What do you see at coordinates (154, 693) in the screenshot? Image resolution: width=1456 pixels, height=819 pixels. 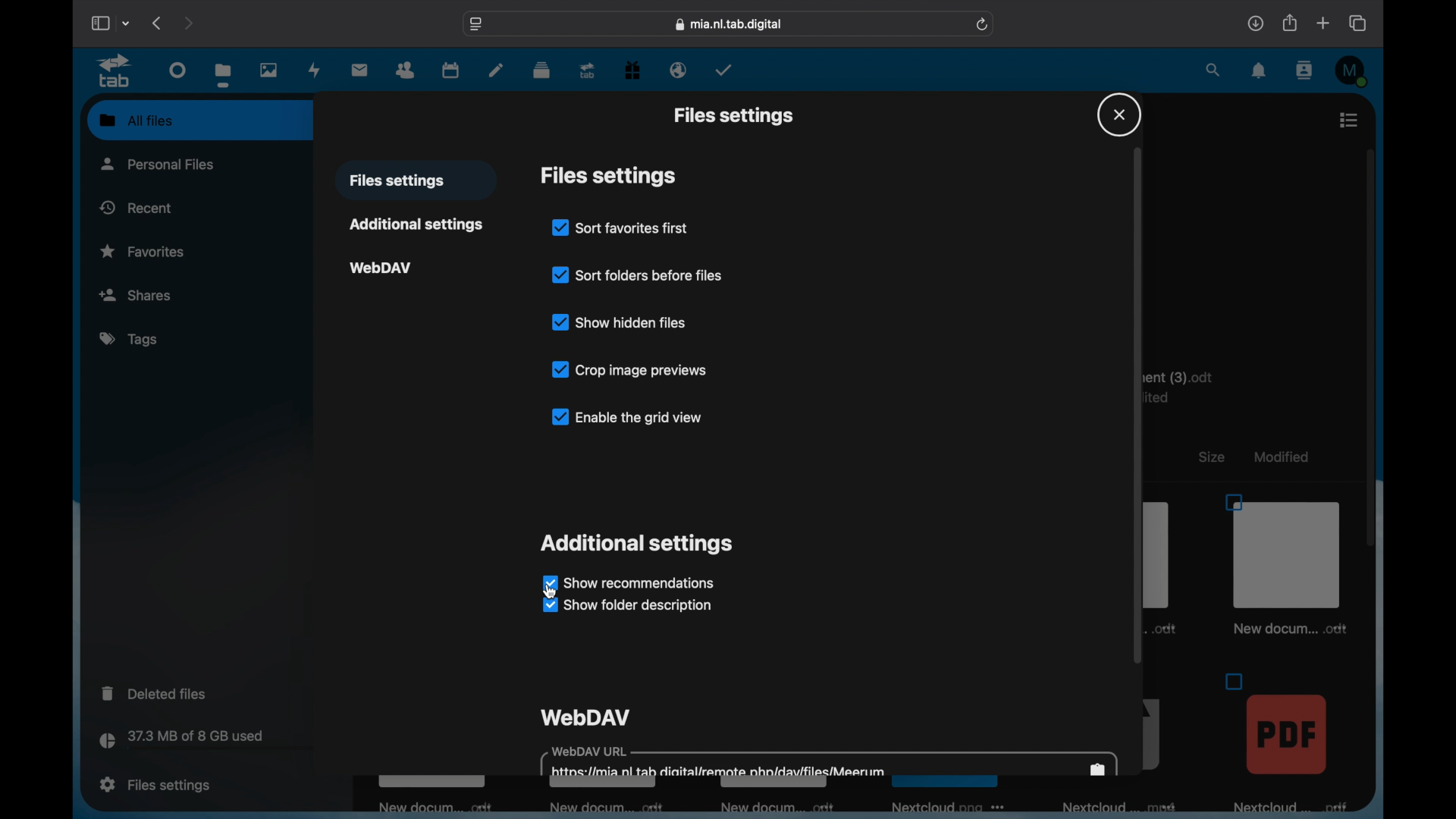 I see `deleted files` at bounding box center [154, 693].